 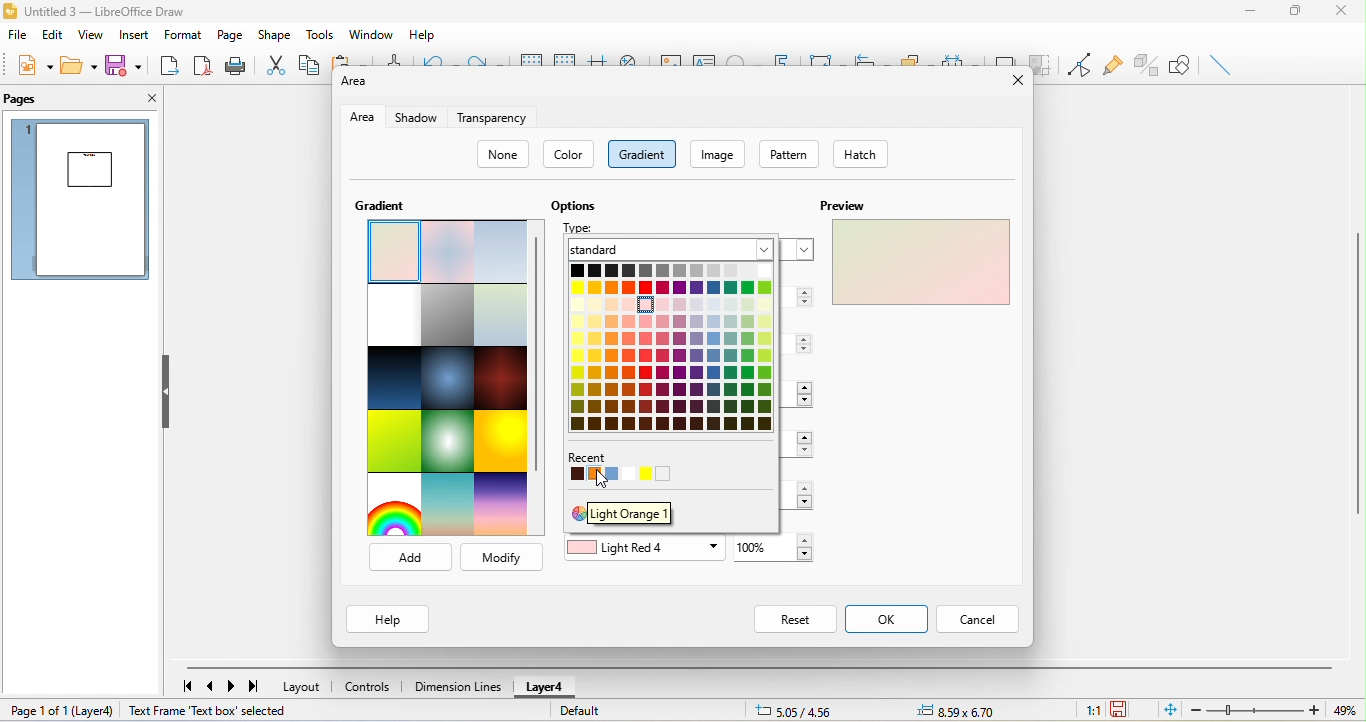 I want to click on print, so click(x=238, y=67).